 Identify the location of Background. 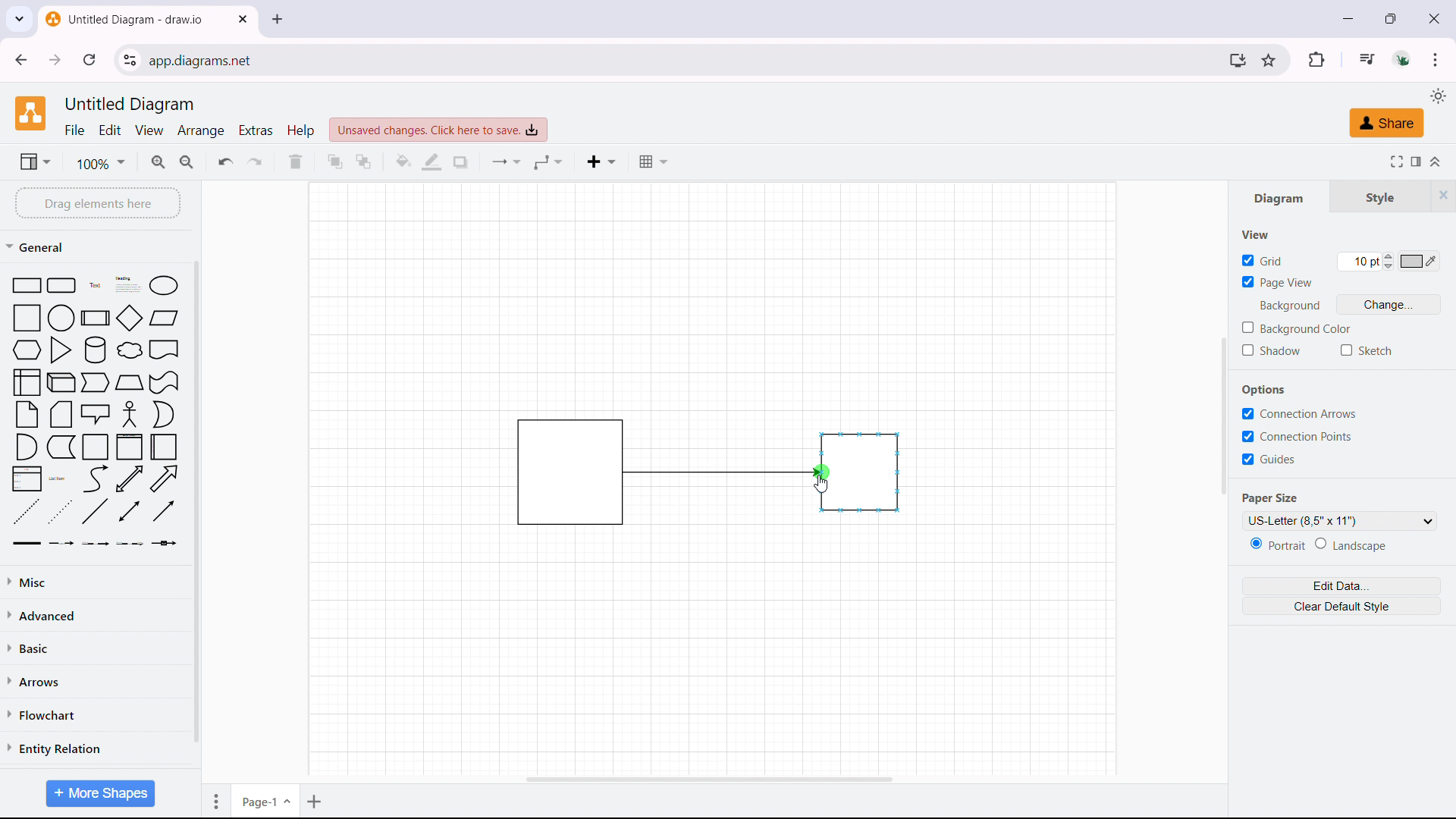
(1285, 306).